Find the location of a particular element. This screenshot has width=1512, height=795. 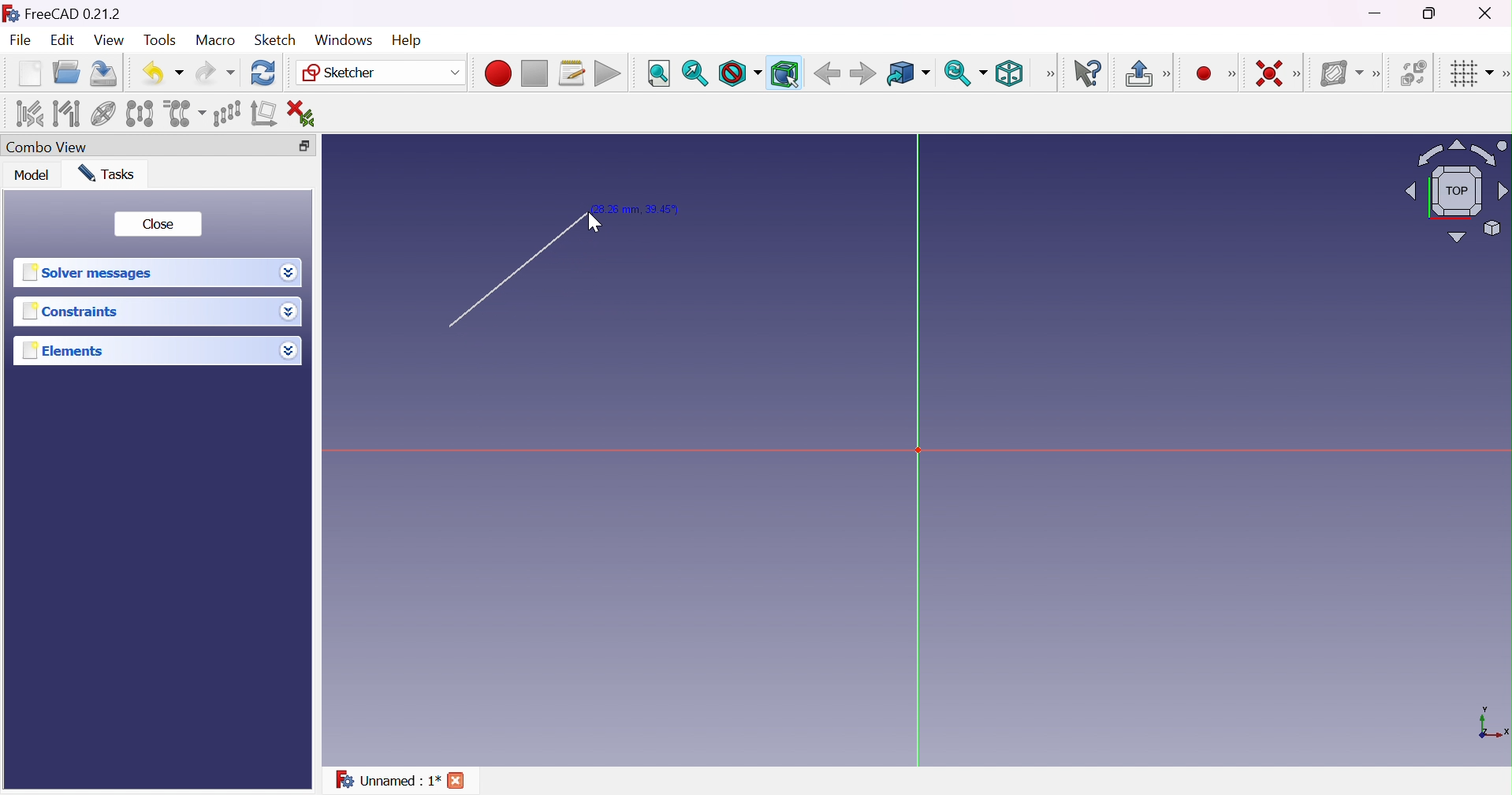

Constrain coincident is located at coordinates (1267, 73).